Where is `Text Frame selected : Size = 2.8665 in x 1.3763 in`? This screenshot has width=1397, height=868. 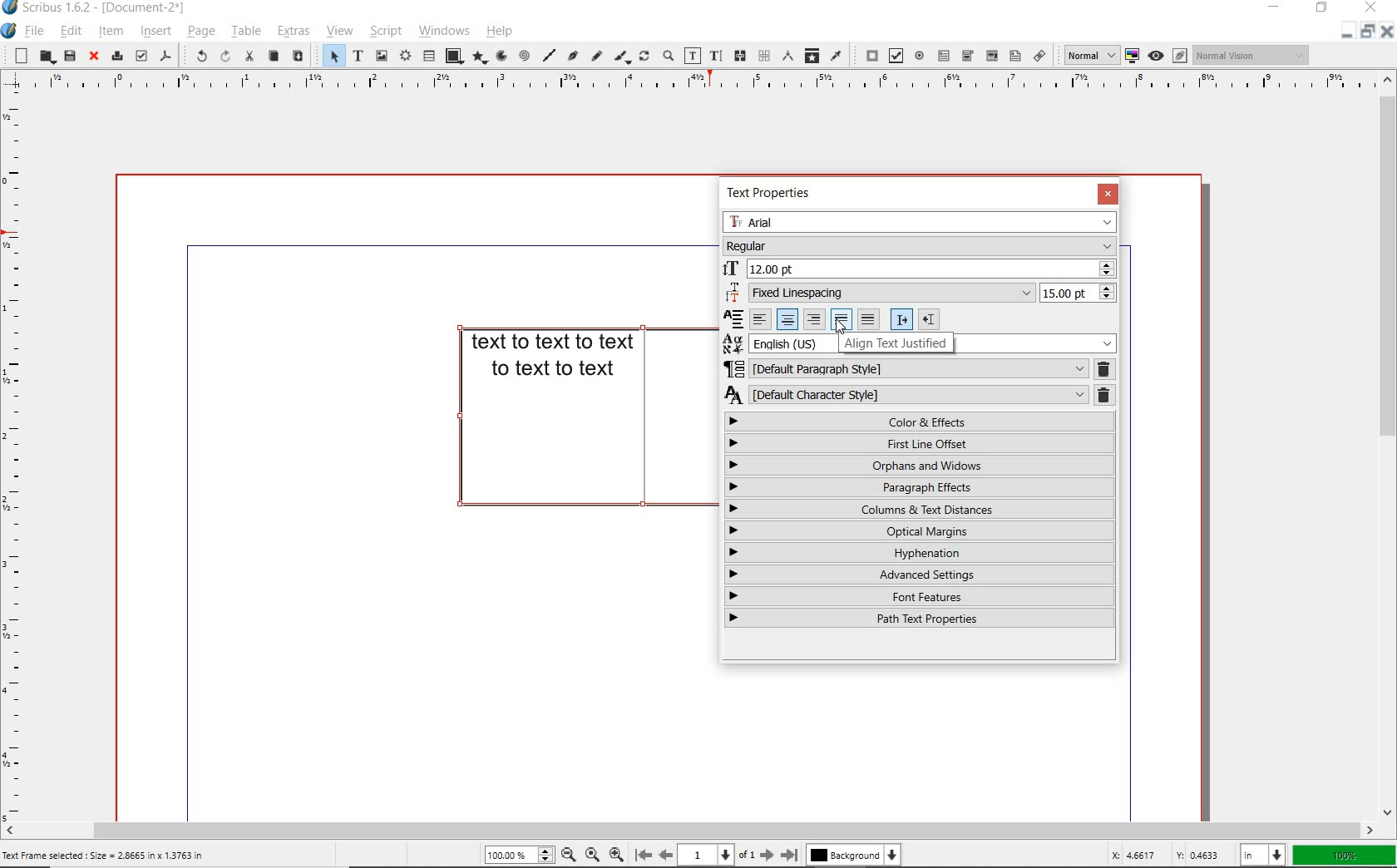
Text Frame selected : Size = 2.8665 in x 1.3763 in is located at coordinates (109, 856).